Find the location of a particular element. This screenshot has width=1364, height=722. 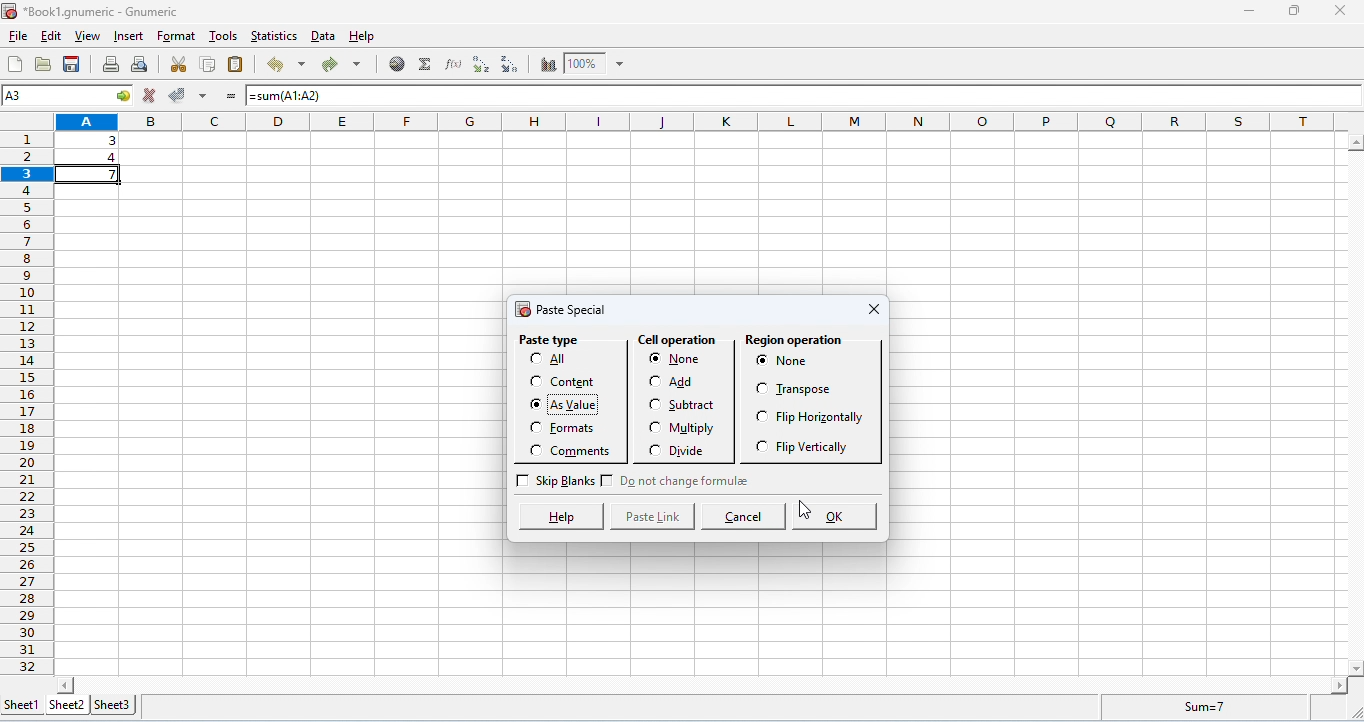

space for vertical column is located at coordinates (1352, 404).